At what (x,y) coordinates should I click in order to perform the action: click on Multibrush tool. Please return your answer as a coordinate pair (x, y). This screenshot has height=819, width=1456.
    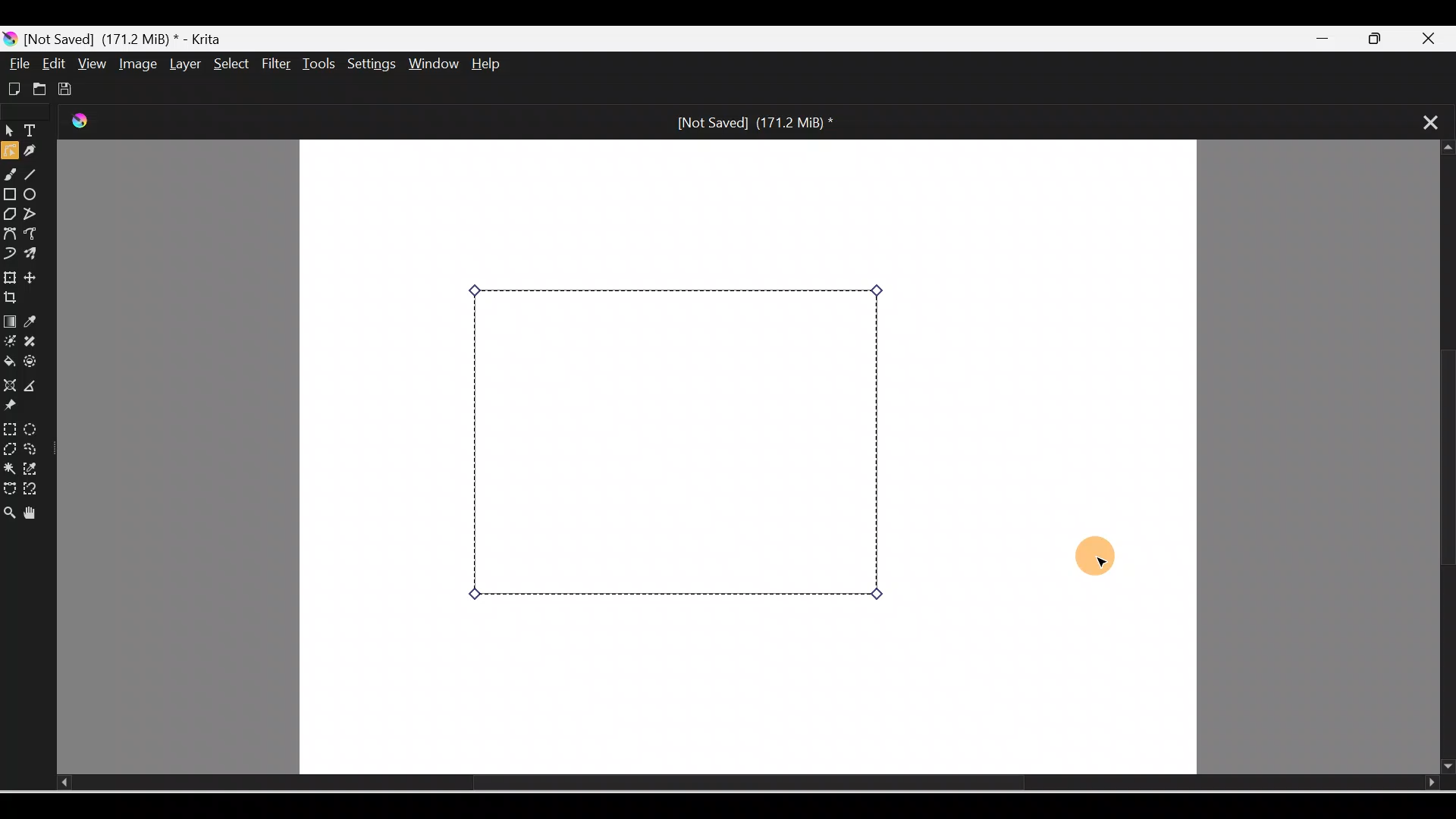
    Looking at the image, I should click on (33, 256).